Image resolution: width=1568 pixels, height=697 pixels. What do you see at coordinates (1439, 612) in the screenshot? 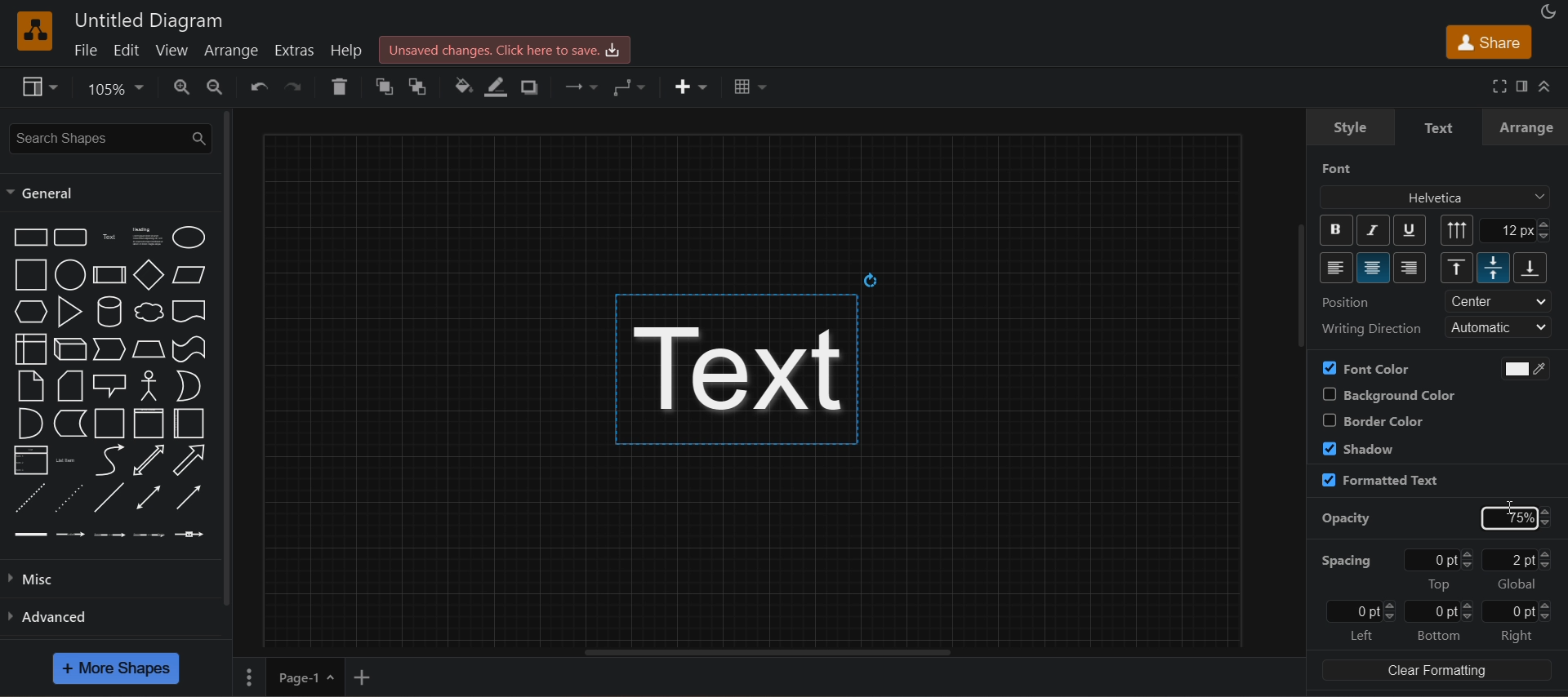
I see `0 pt` at bounding box center [1439, 612].